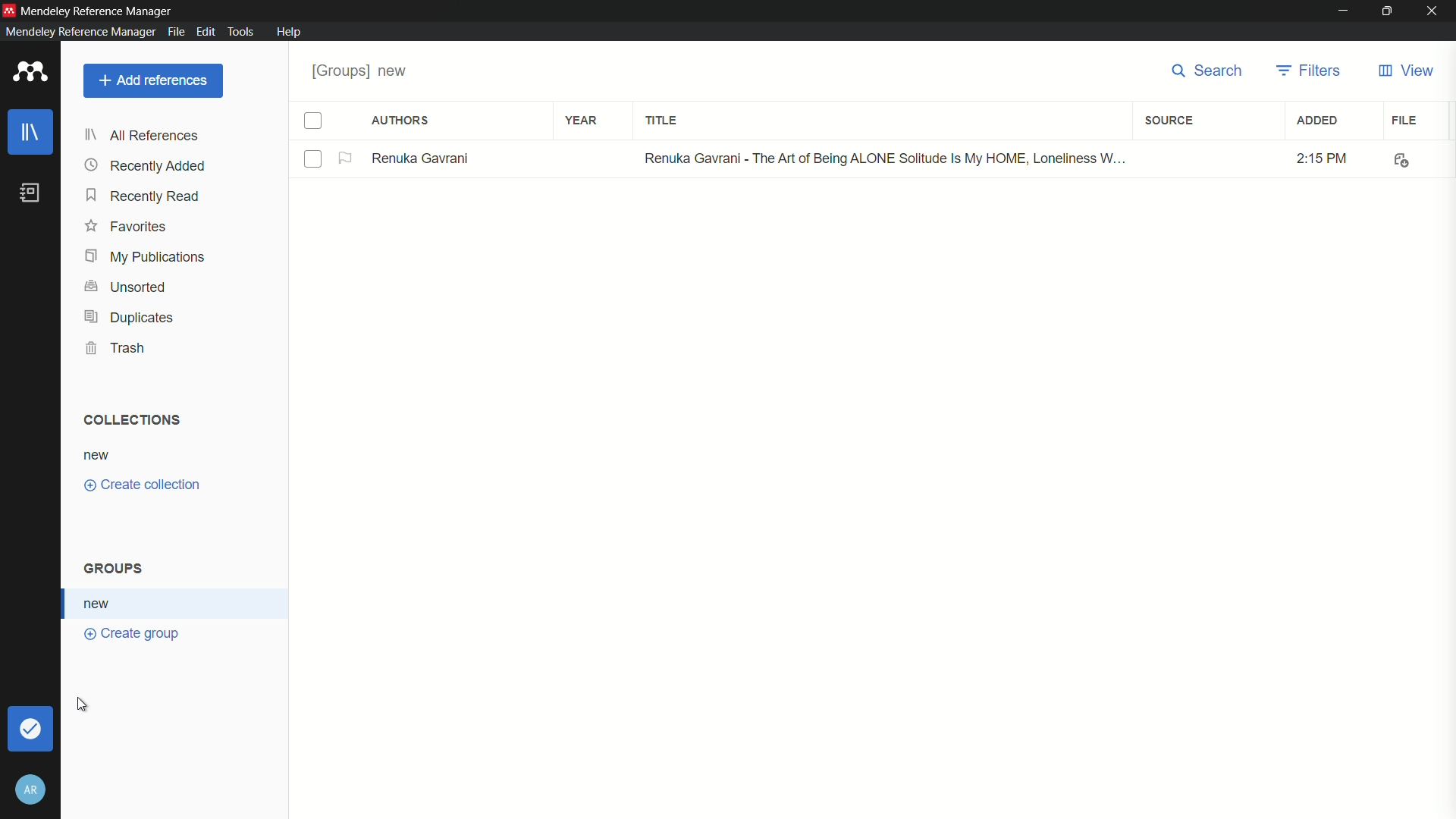 Image resolution: width=1456 pixels, height=819 pixels. Describe the element at coordinates (313, 160) in the screenshot. I see `Checkbox` at that location.